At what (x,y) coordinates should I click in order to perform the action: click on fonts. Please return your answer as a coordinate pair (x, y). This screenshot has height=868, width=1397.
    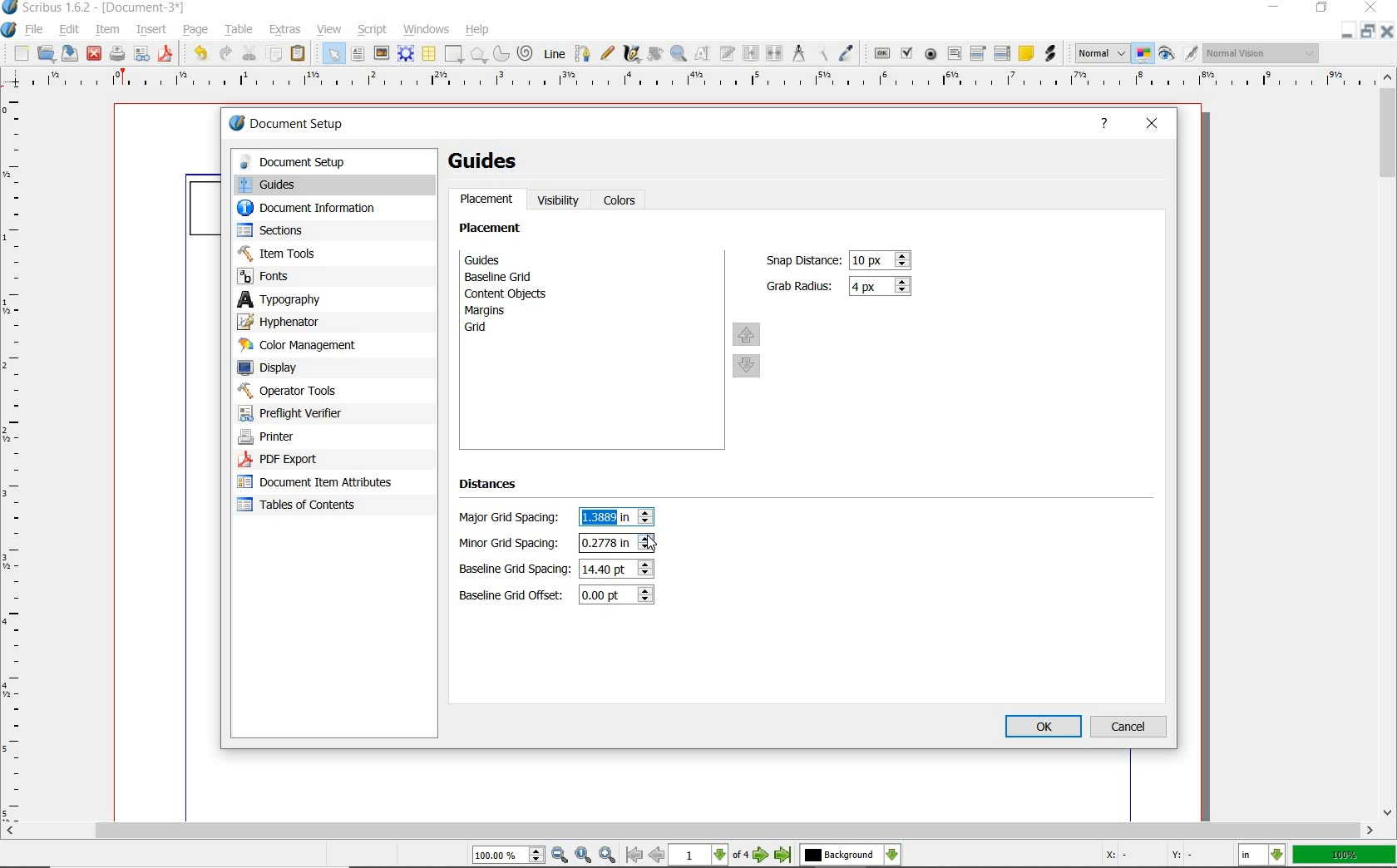
    Looking at the image, I should click on (334, 275).